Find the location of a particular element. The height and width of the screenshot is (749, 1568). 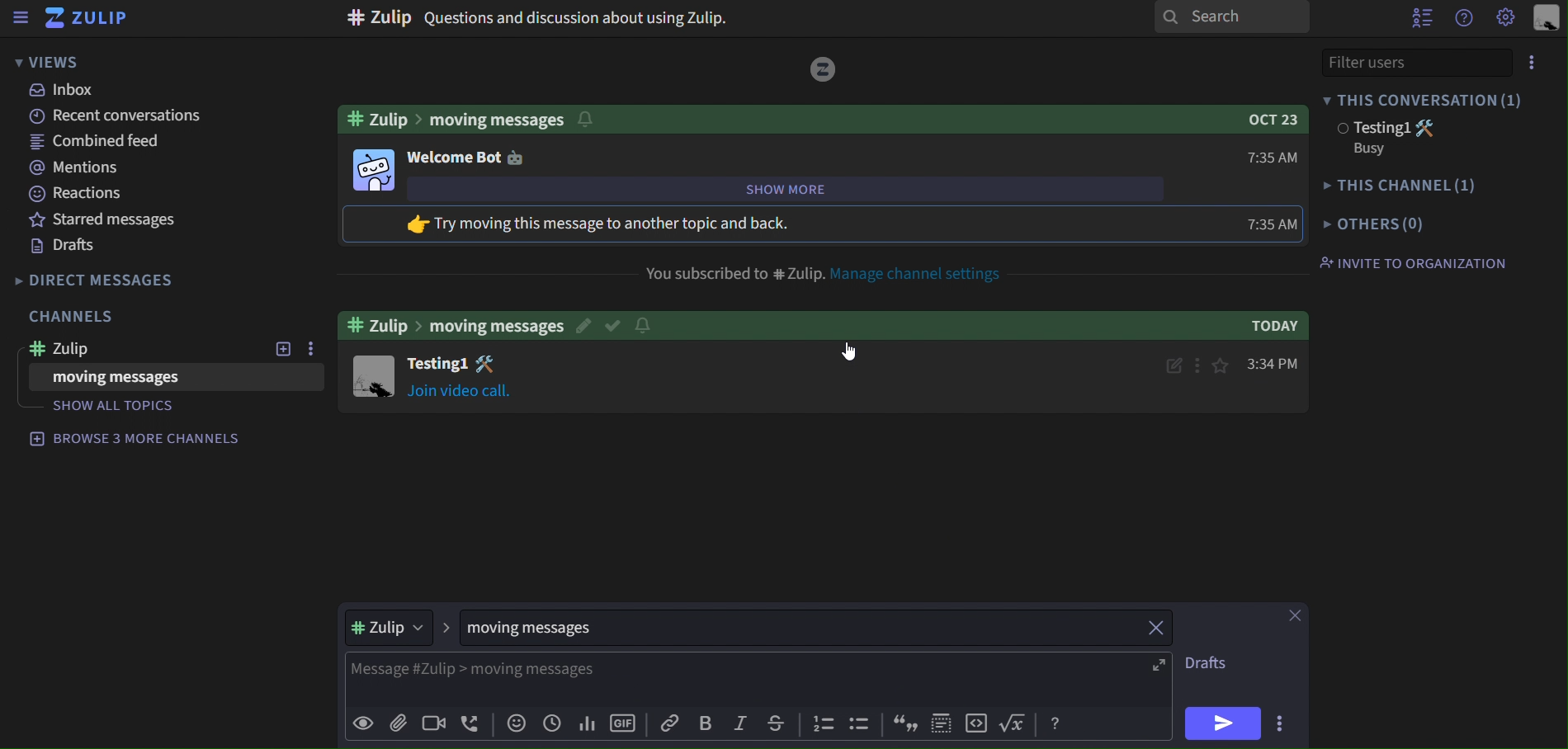

channels is located at coordinates (73, 318).